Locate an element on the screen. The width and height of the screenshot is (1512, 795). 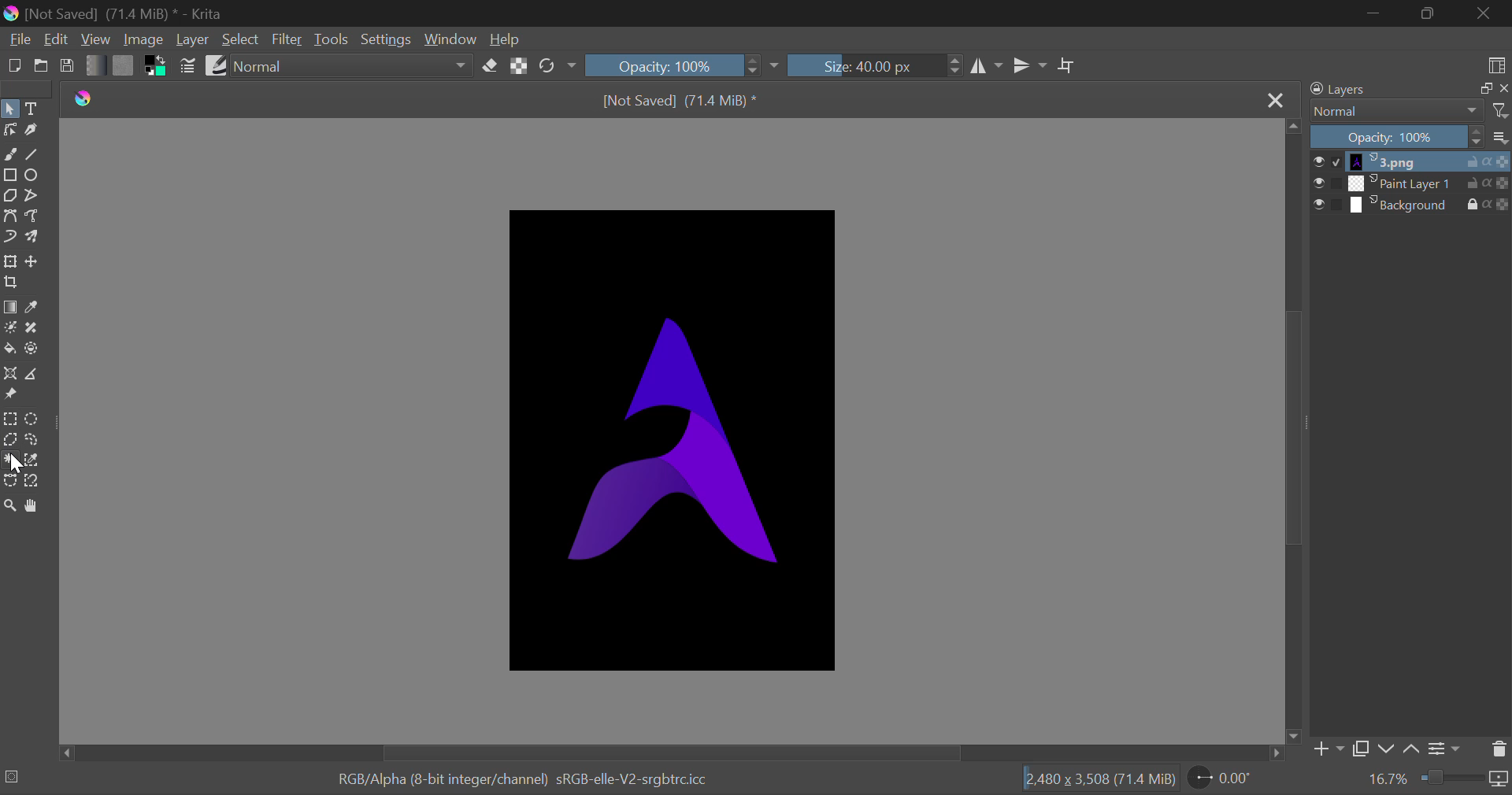
Calligraphic Tool is located at coordinates (35, 134).